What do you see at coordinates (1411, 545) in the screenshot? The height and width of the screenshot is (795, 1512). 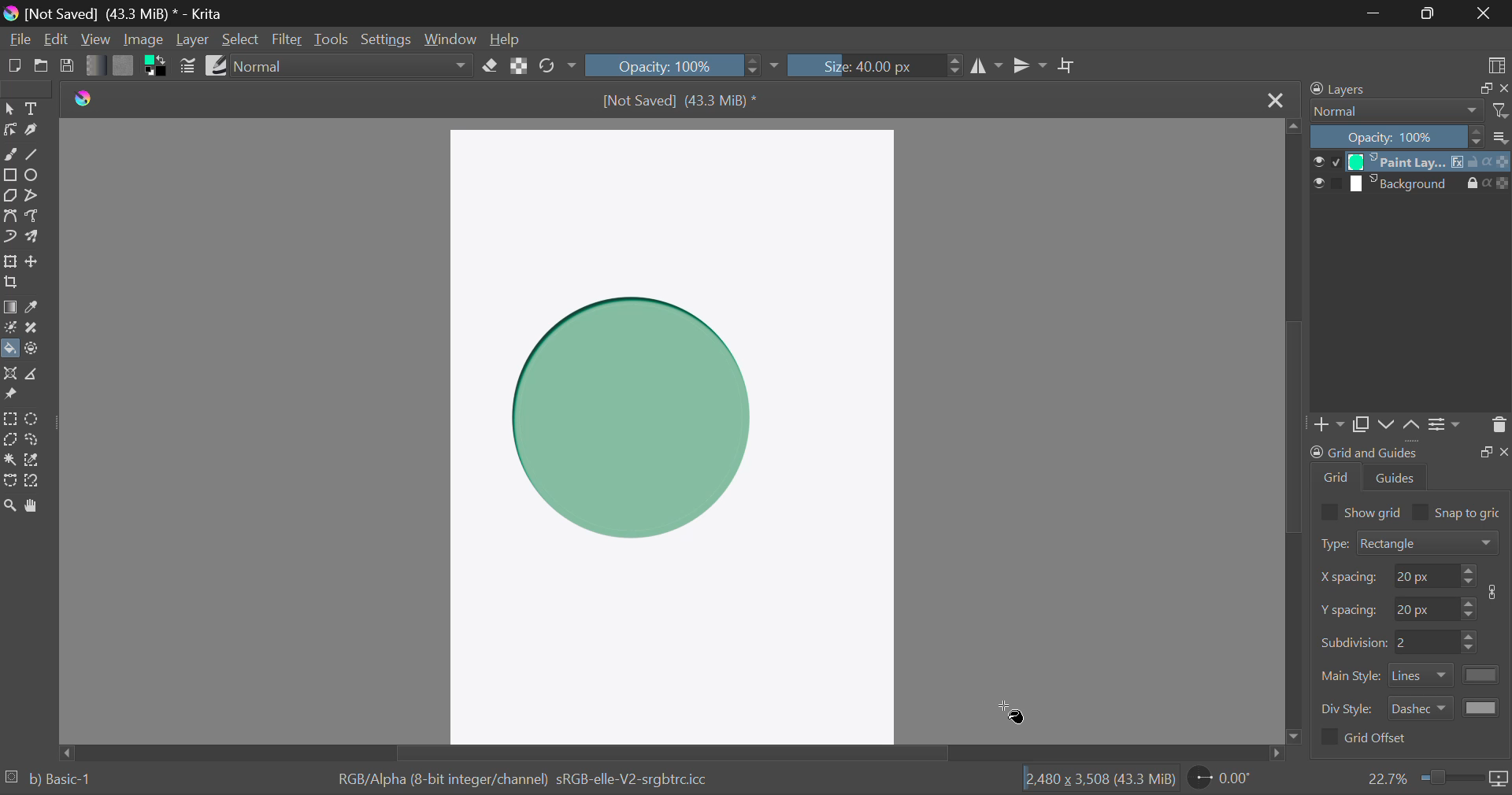 I see `Grid Type` at bounding box center [1411, 545].